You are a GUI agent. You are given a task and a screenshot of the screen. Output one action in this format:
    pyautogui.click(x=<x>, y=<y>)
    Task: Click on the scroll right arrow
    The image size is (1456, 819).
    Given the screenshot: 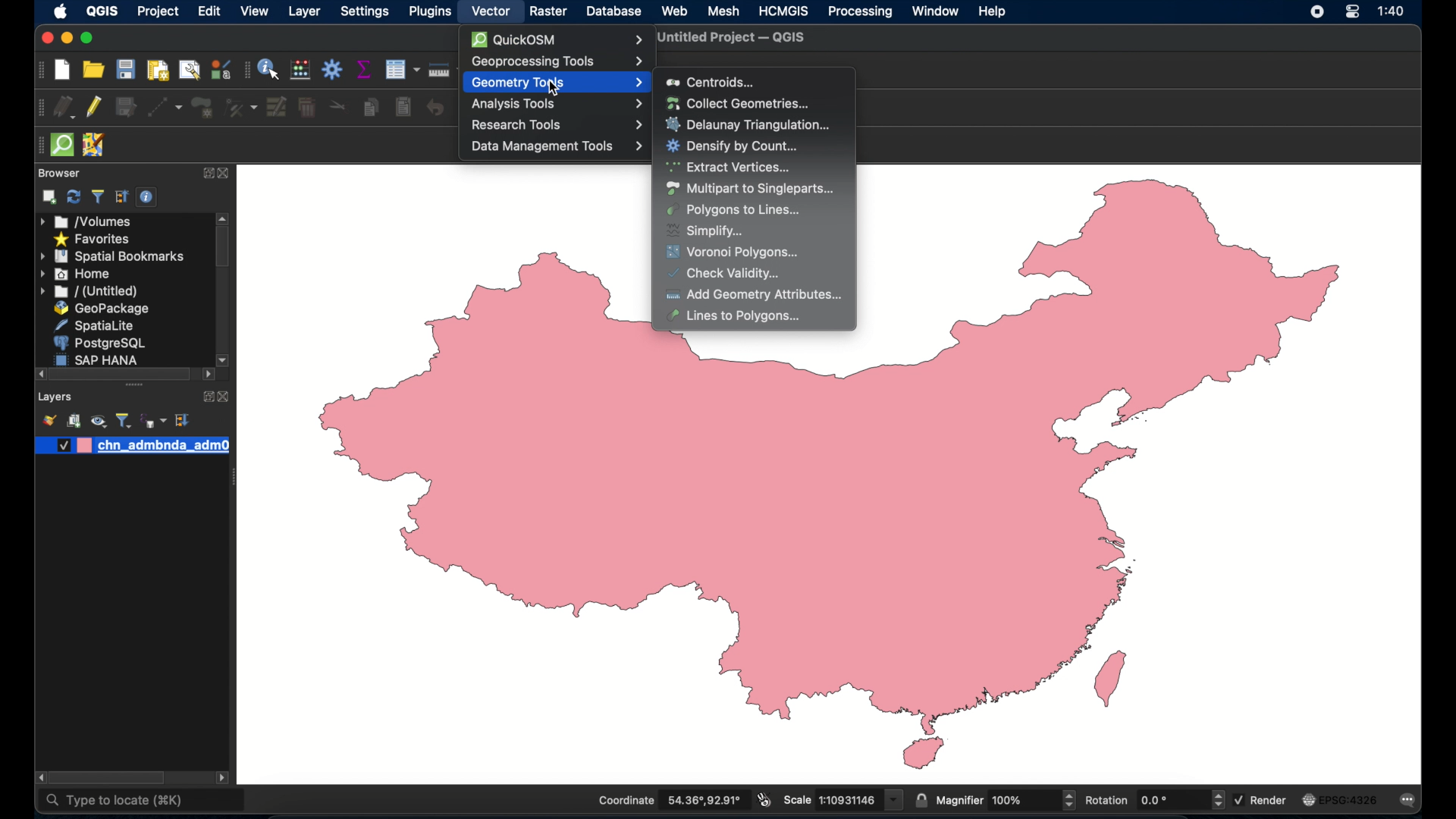 What is the action you would take?
    pyautogui.click(x=37, y=777)
    